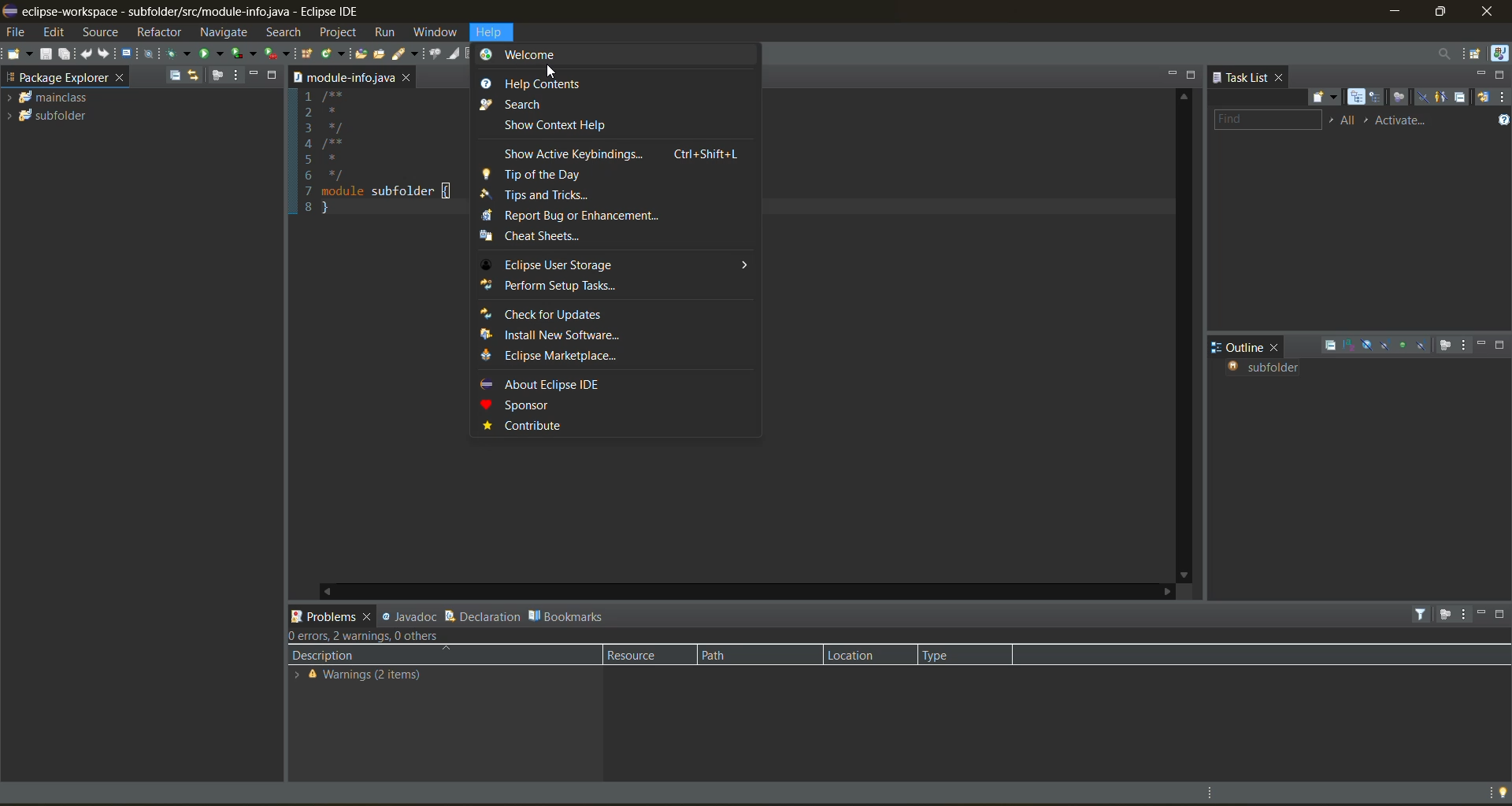 The width and height of the screenshot is (1512, 806). What do you see at coordinates (1325, 95) in the screenshot?
I see `new task` at bounding box center [1325, 95].